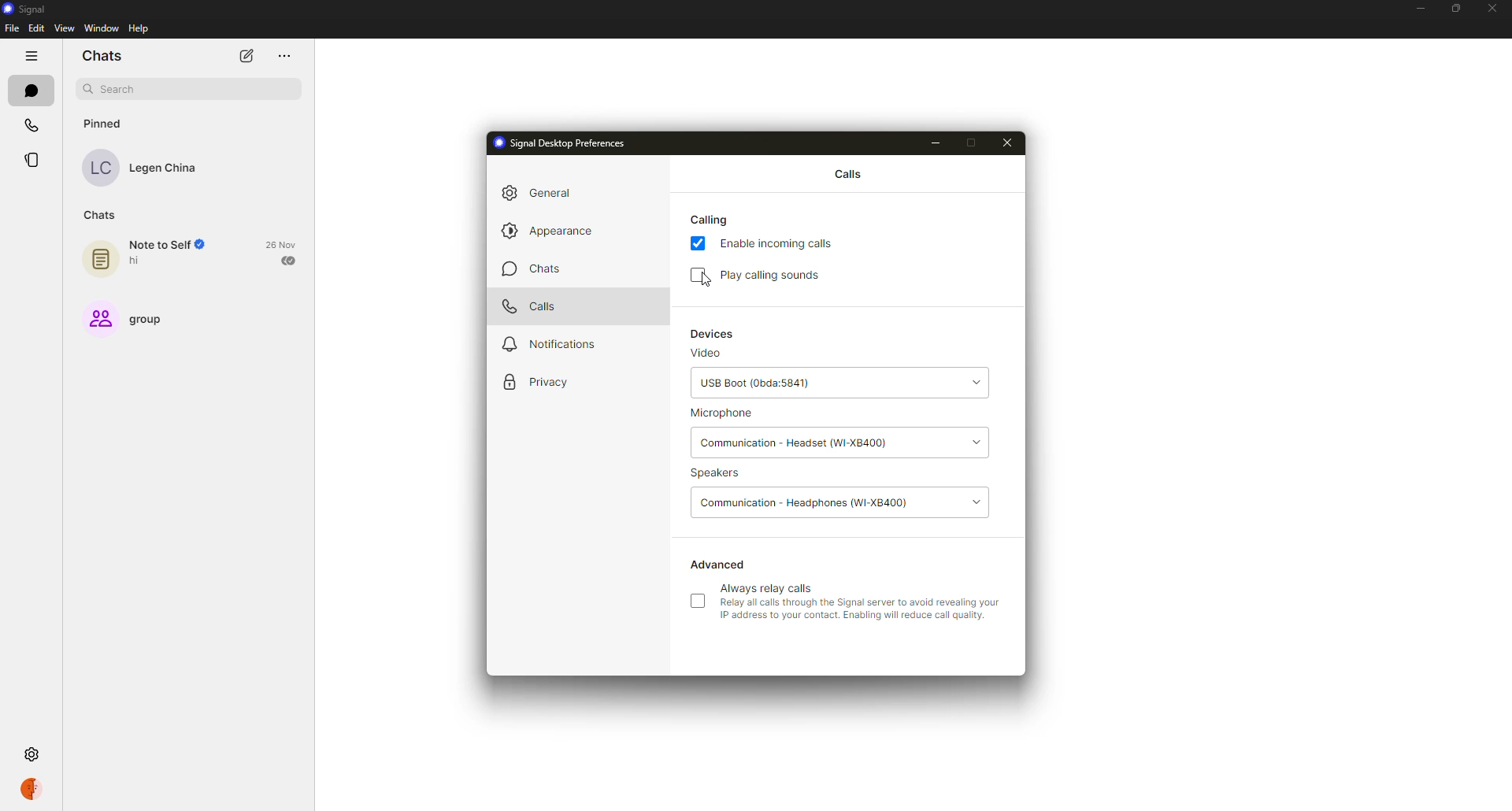 The width and height of the screenshot is (1512, 811). What do you see at coordinates (291, 260) in the screenshot?
I see `sent` at bounding box center [291, 260].